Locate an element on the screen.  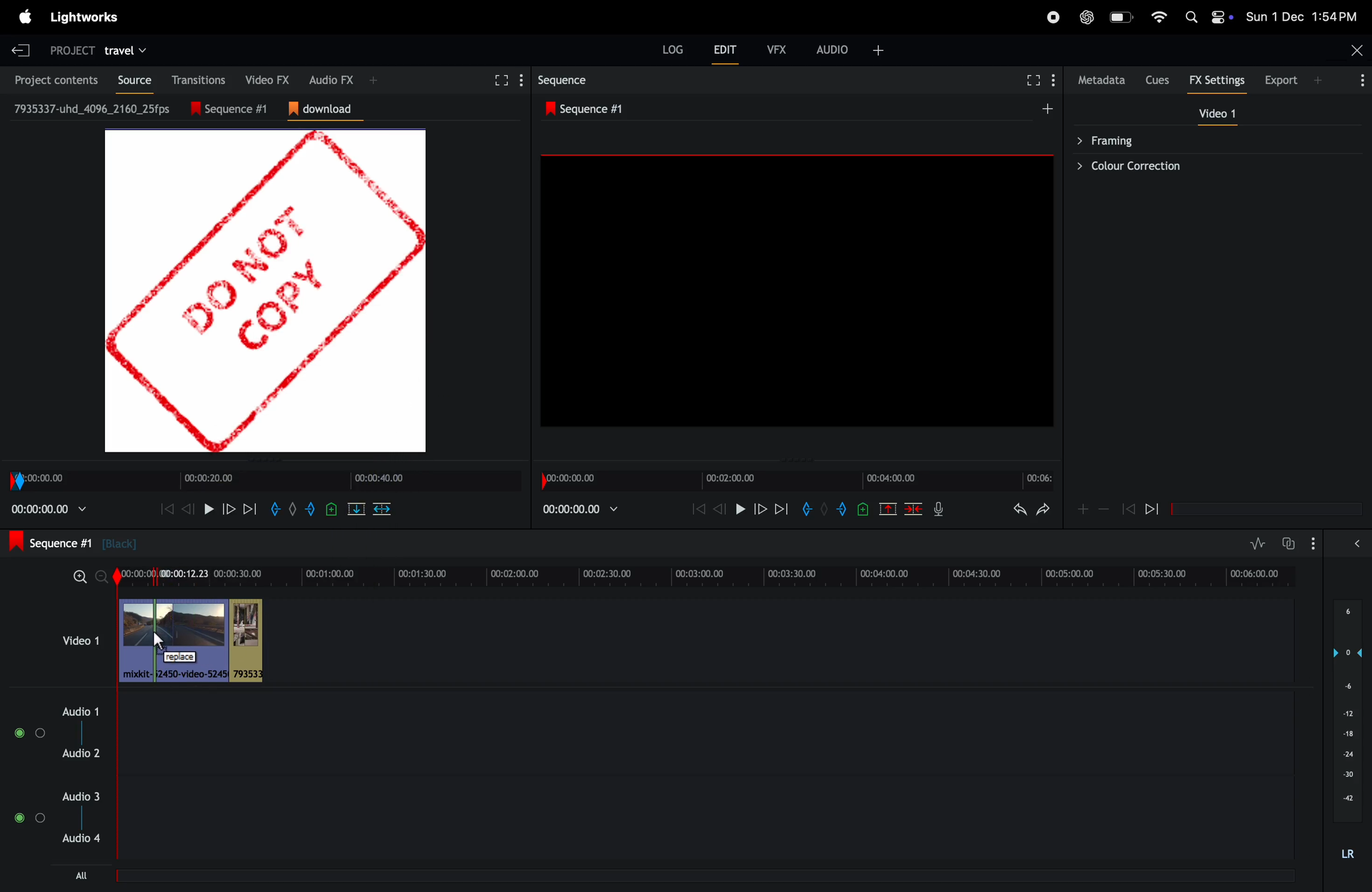
Horizontal slide bar is located at coordinates (702, 876).